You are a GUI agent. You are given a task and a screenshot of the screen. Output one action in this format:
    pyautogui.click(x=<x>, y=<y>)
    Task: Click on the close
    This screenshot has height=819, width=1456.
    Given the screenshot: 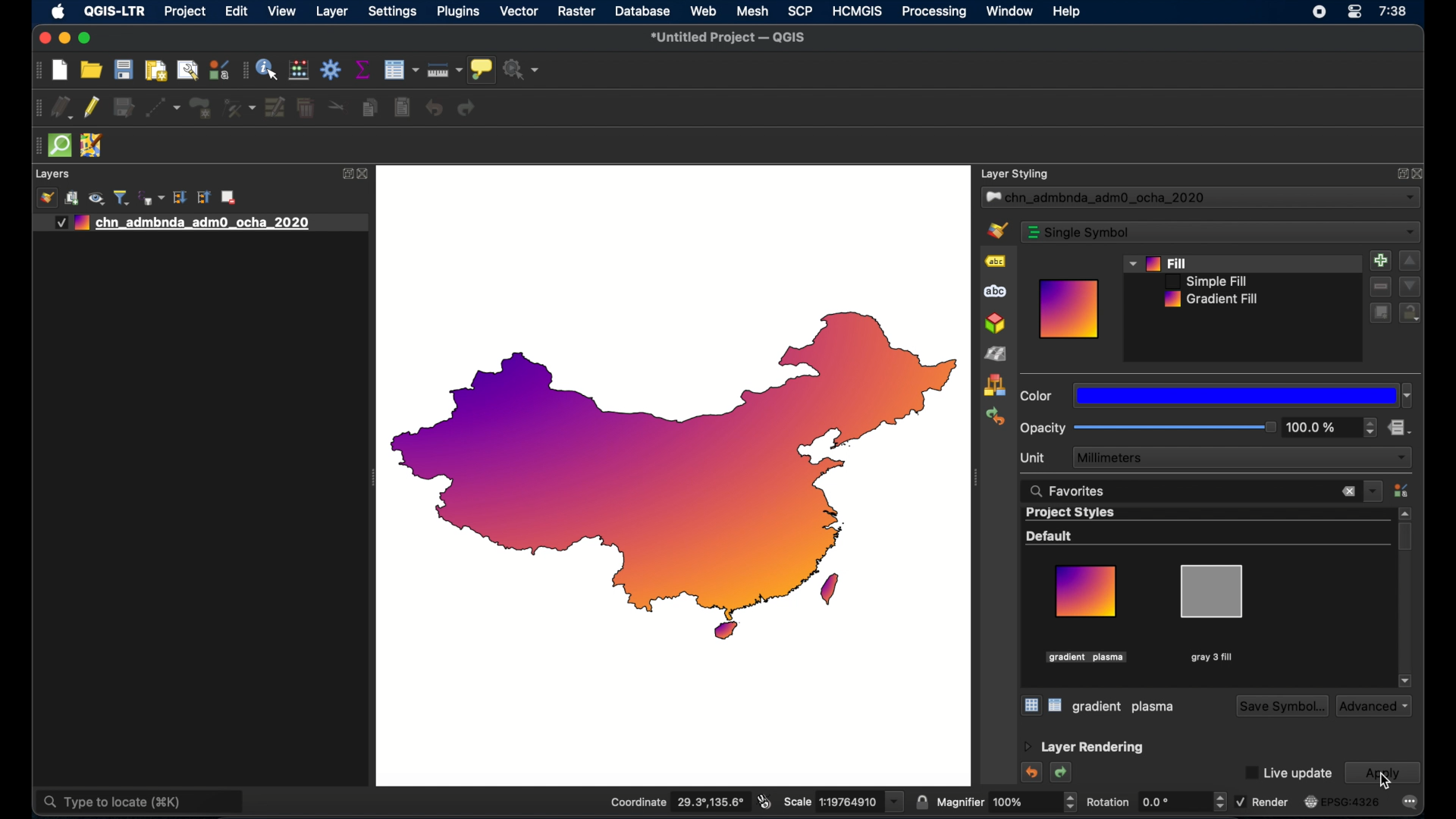 What is the action you would take?
    pyautogui.click(x=1348, y=492)
    